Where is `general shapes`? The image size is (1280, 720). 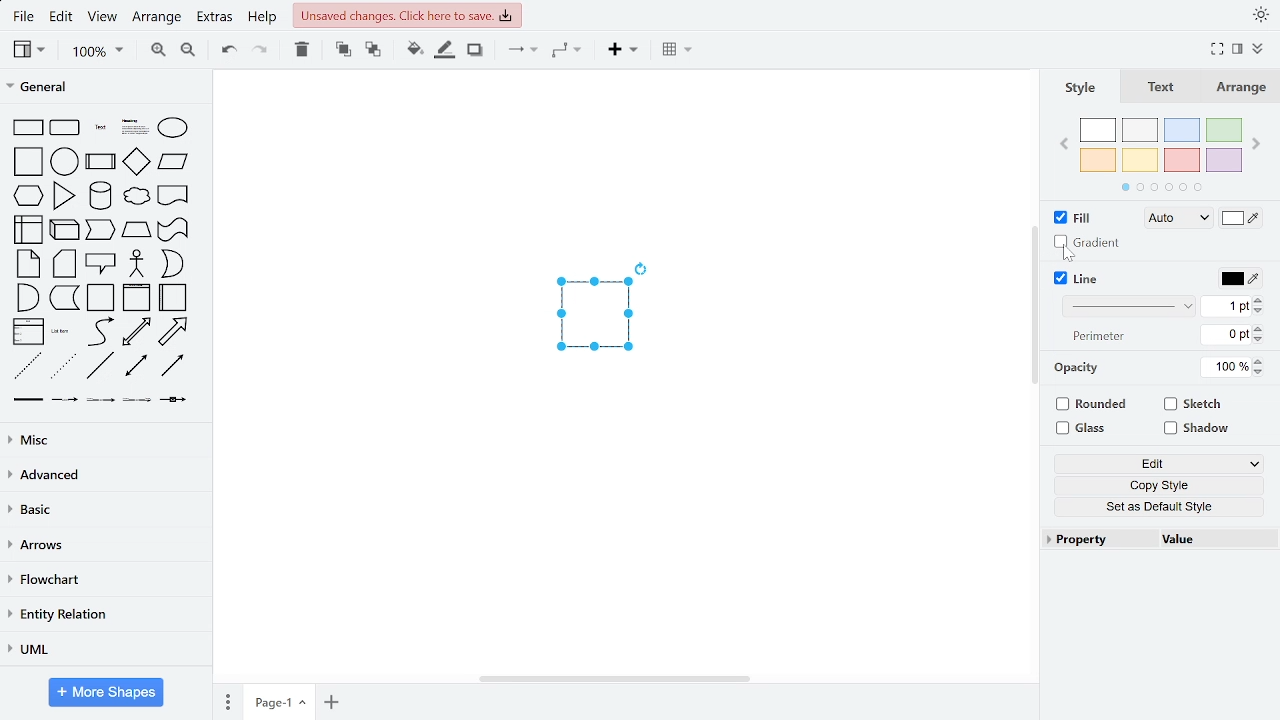 general shapes is located at coordinates (98, 158).